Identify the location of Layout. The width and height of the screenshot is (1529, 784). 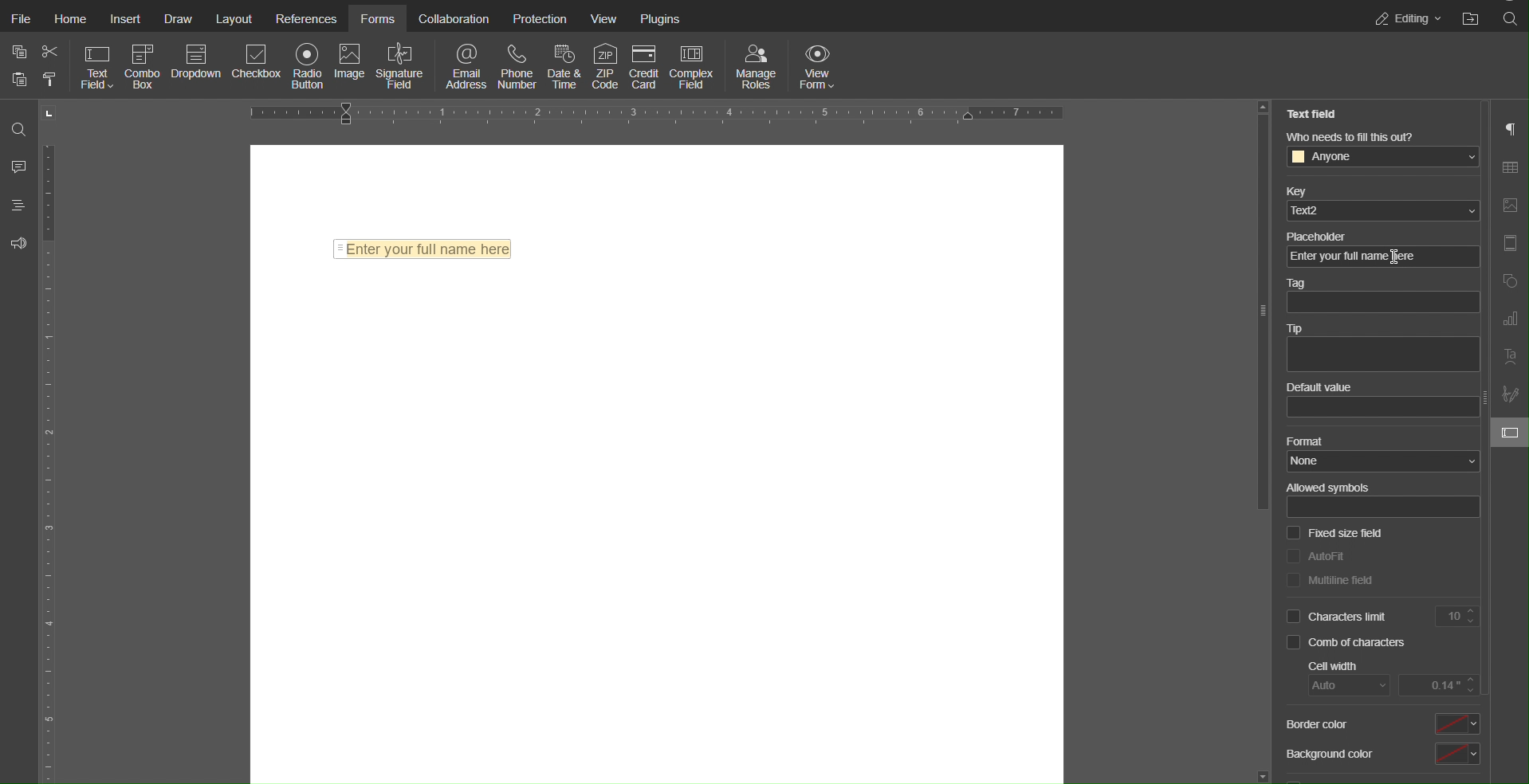
(233, 20).